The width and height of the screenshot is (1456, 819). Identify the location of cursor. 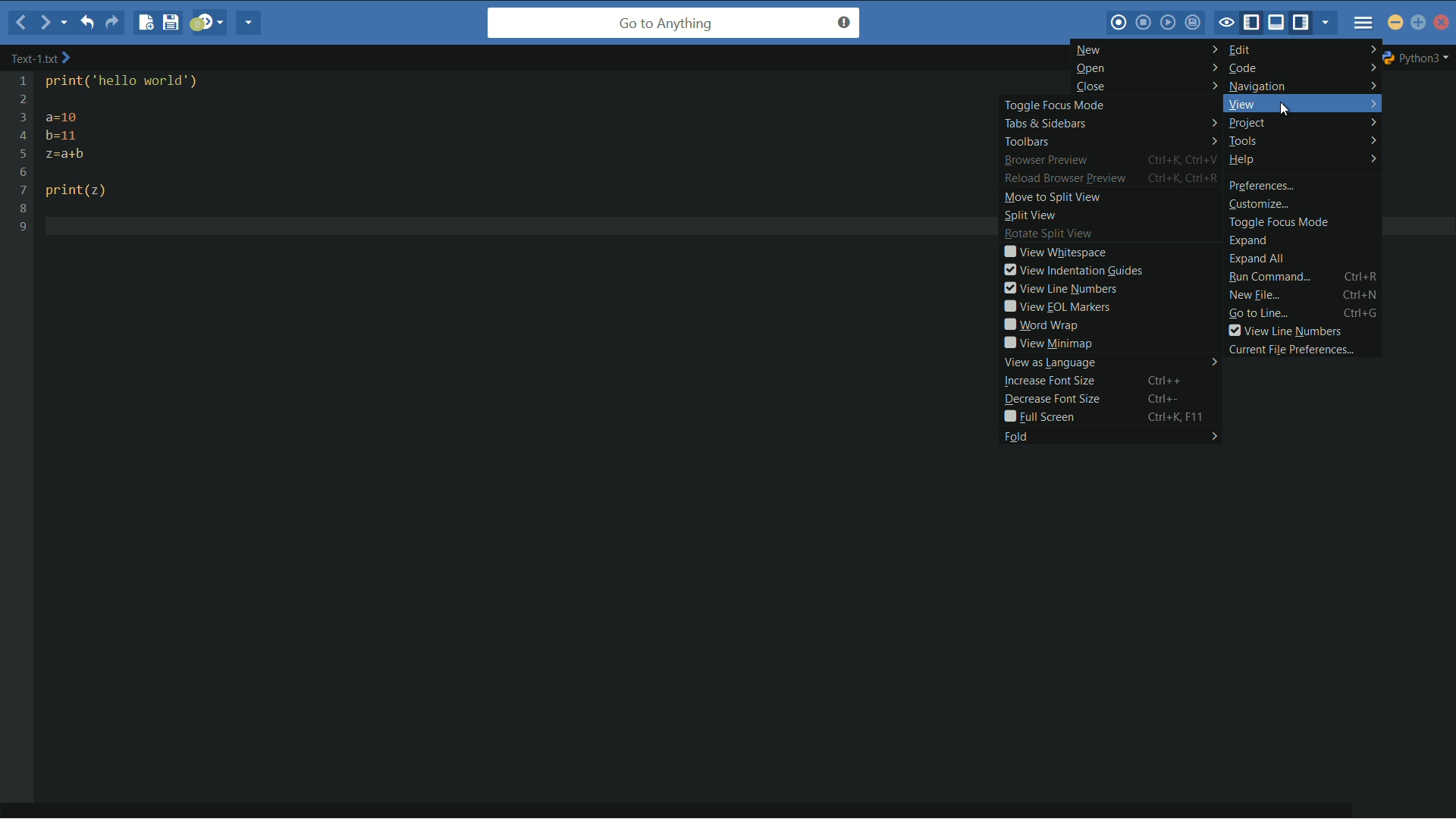
(1290, 109).